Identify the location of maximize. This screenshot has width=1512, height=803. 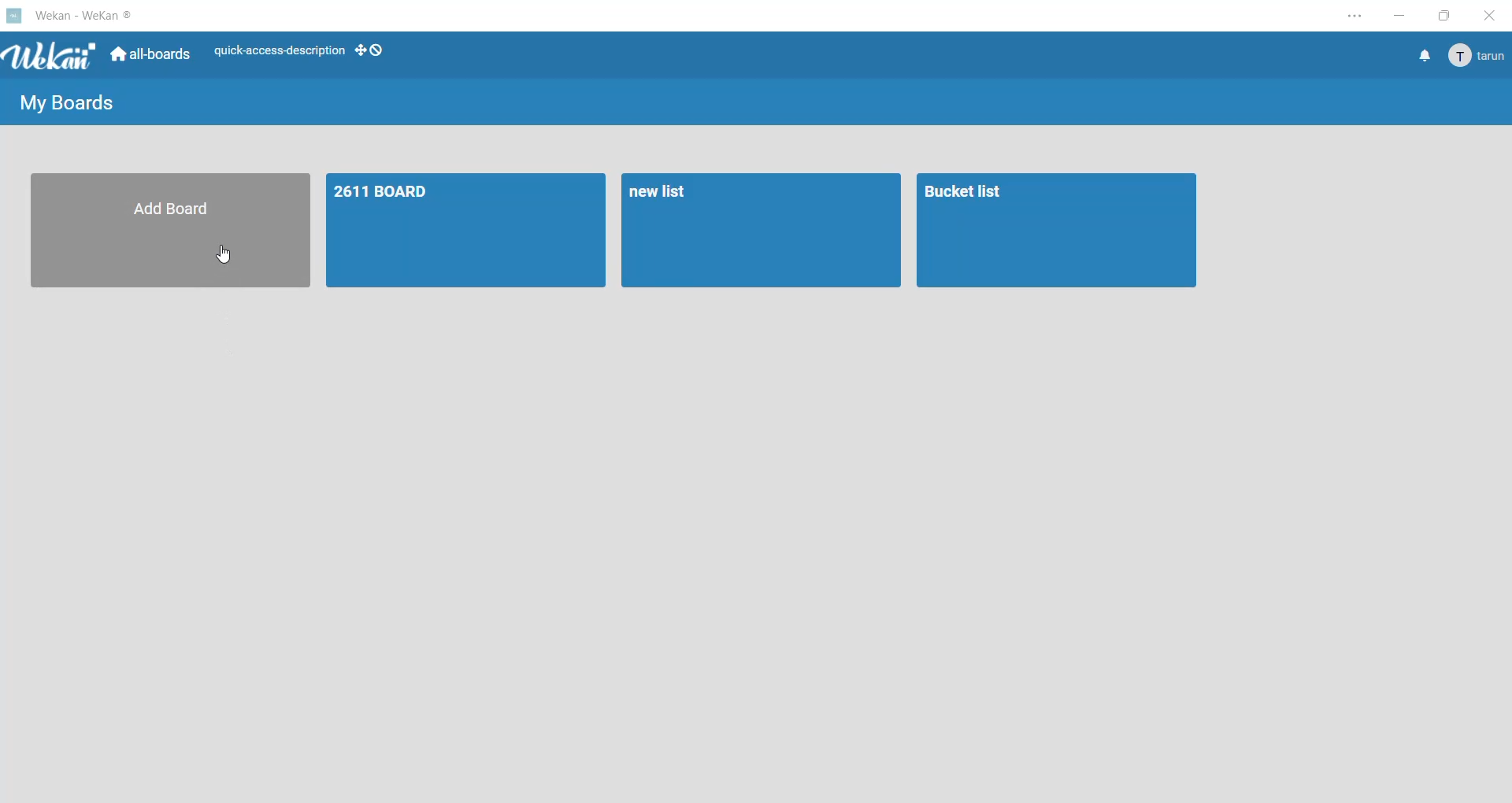
(1443, 16).